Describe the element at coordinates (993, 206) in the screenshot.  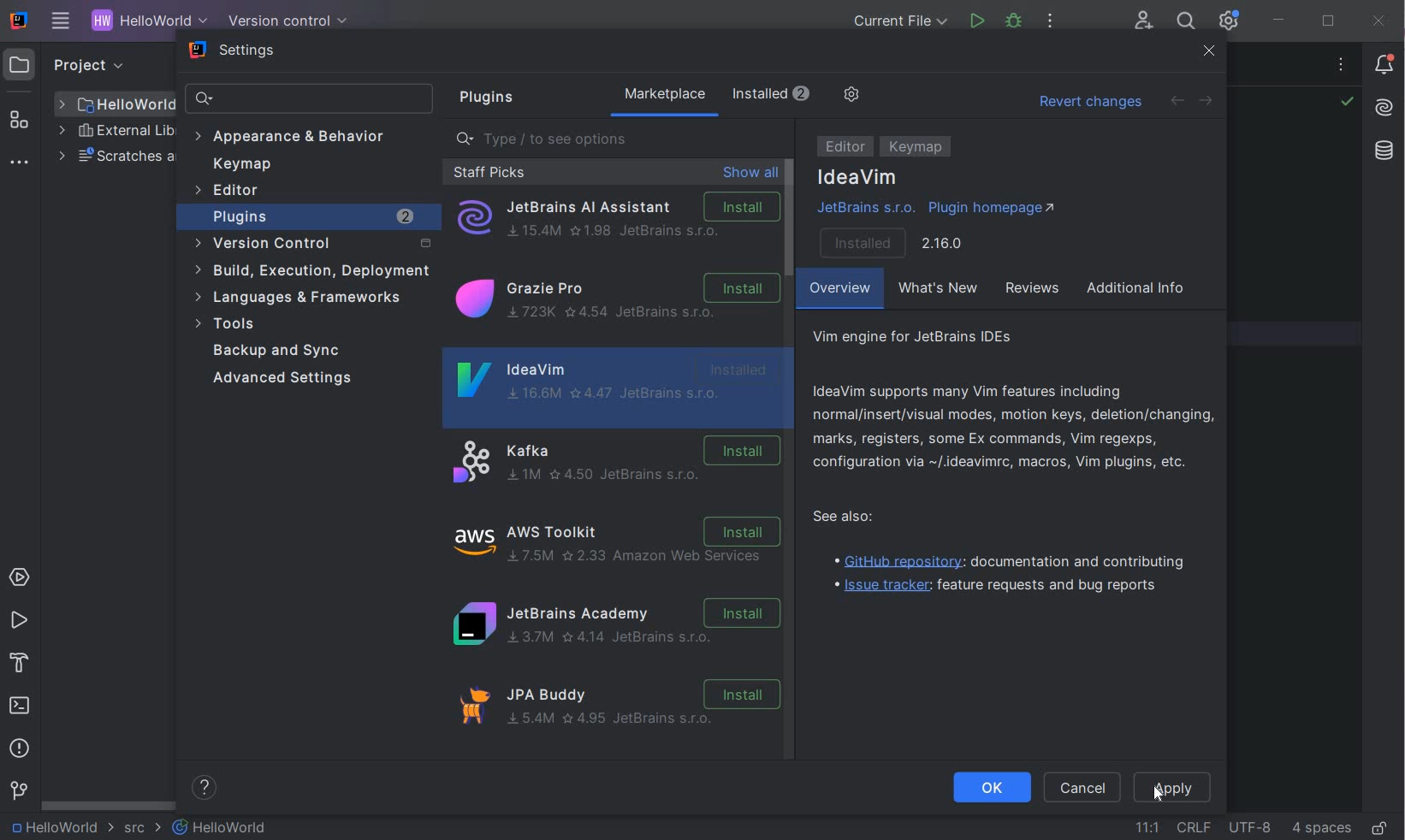
I see `Plugin homepage` at that location.